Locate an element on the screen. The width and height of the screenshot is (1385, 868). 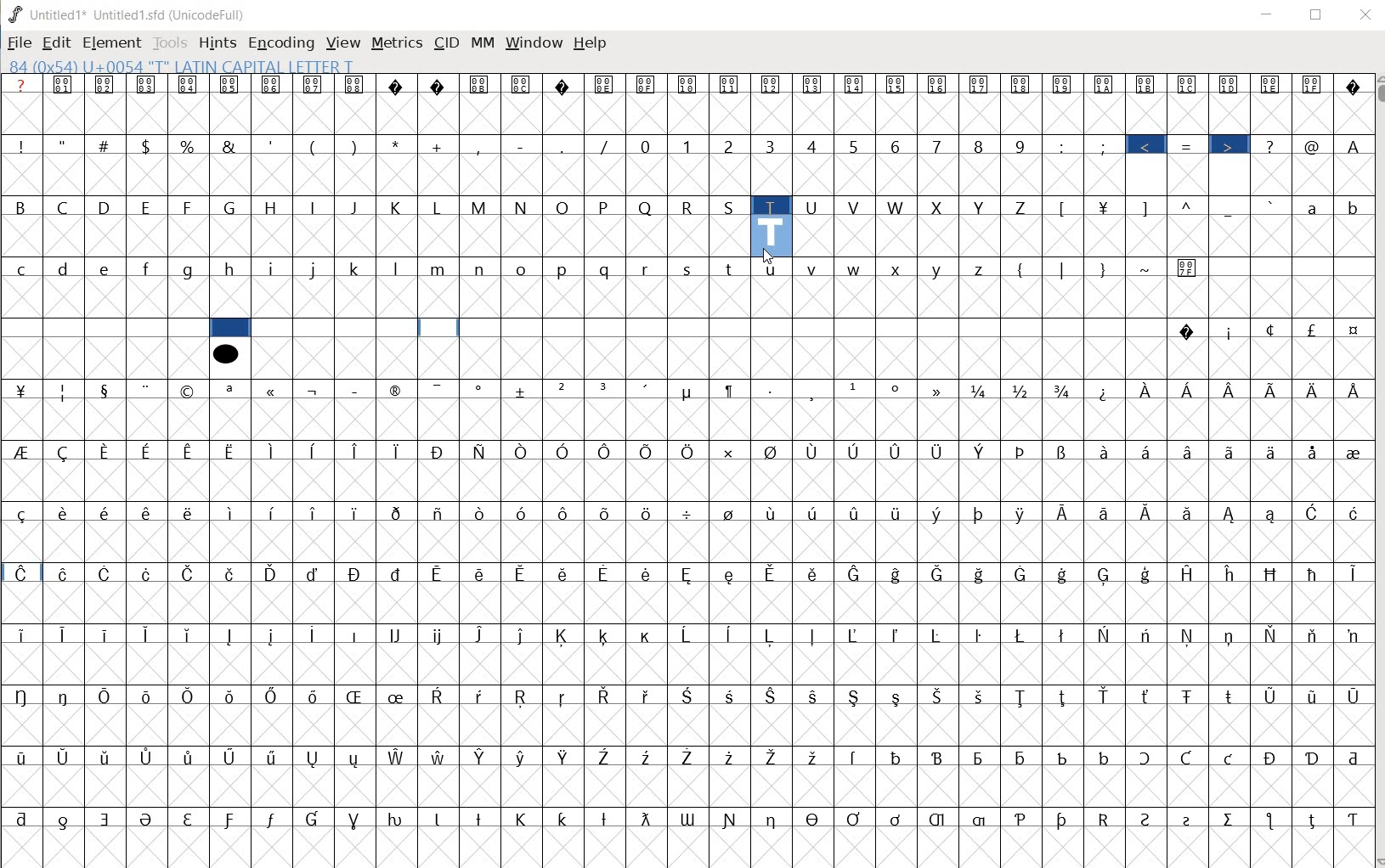
view is located at coordinates (344, 42).